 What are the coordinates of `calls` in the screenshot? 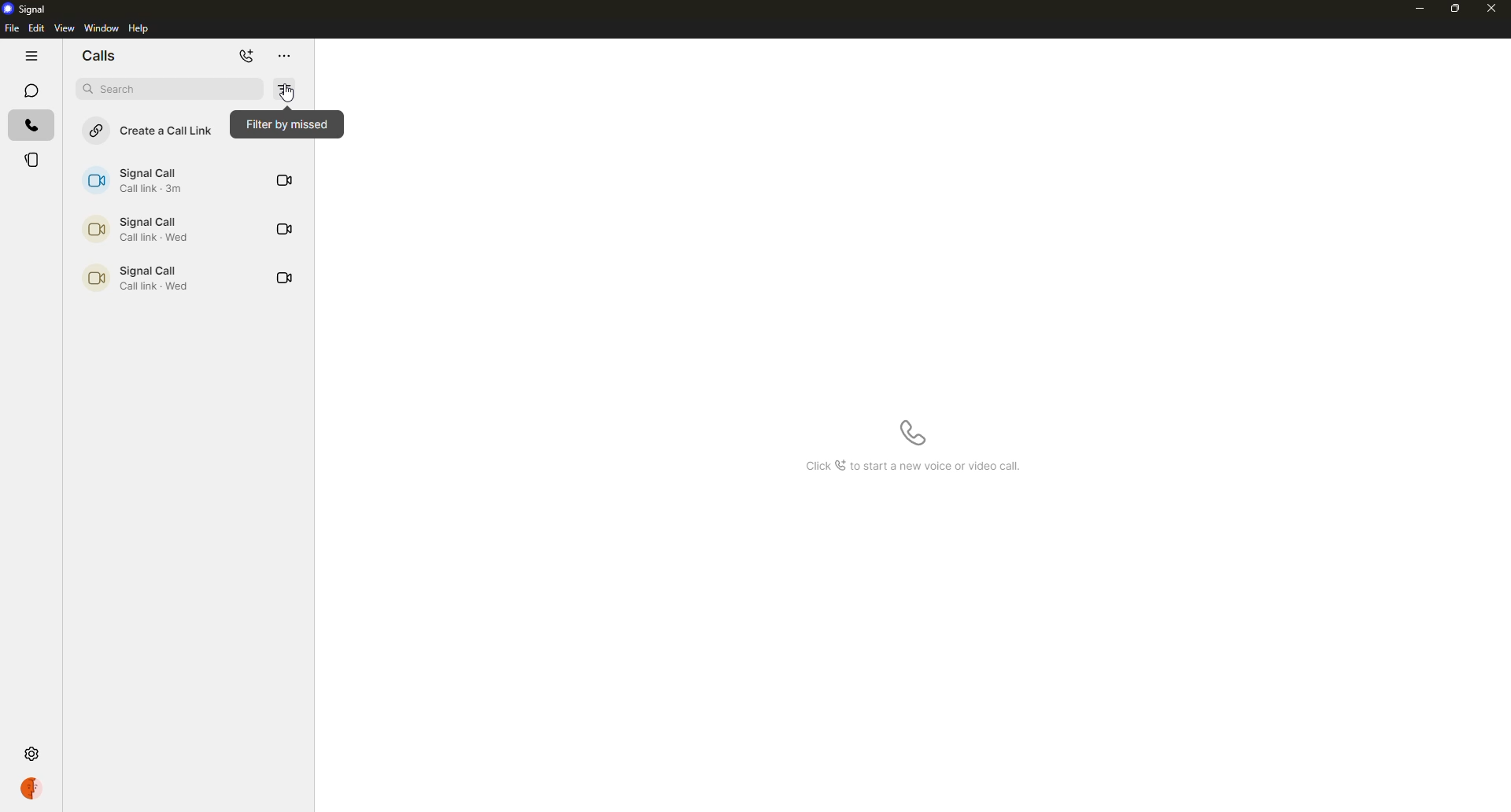 It's located at (104, 57).